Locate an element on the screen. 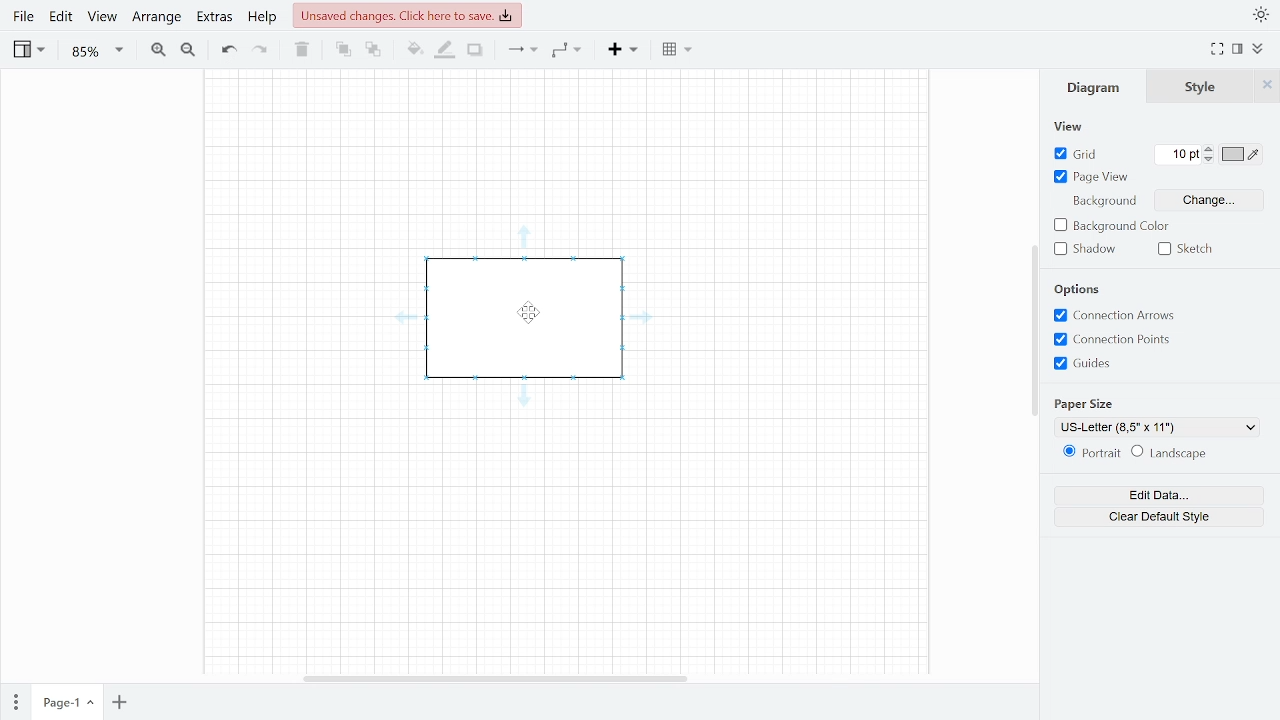  Zoom out is located at coordinates (186, 50).